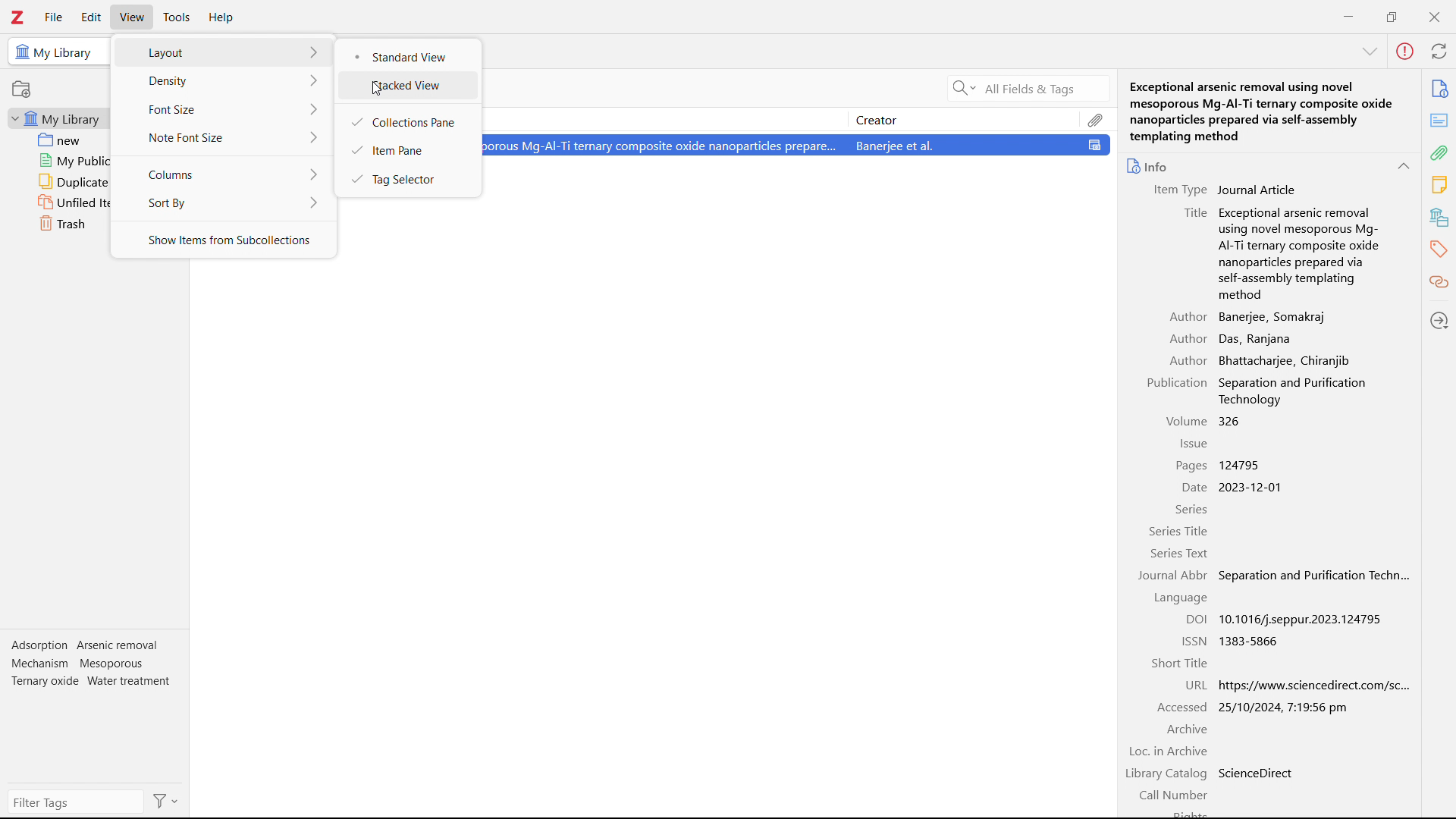  Describe the element at coordinates (1298, 253) in the screenshot. I see `Exceptional arsenic removal
using novel mesoporous Mg-
AI-Ti ternary composite oxide
nanoparticles prepared via
self-assembly templating
method` at that location.